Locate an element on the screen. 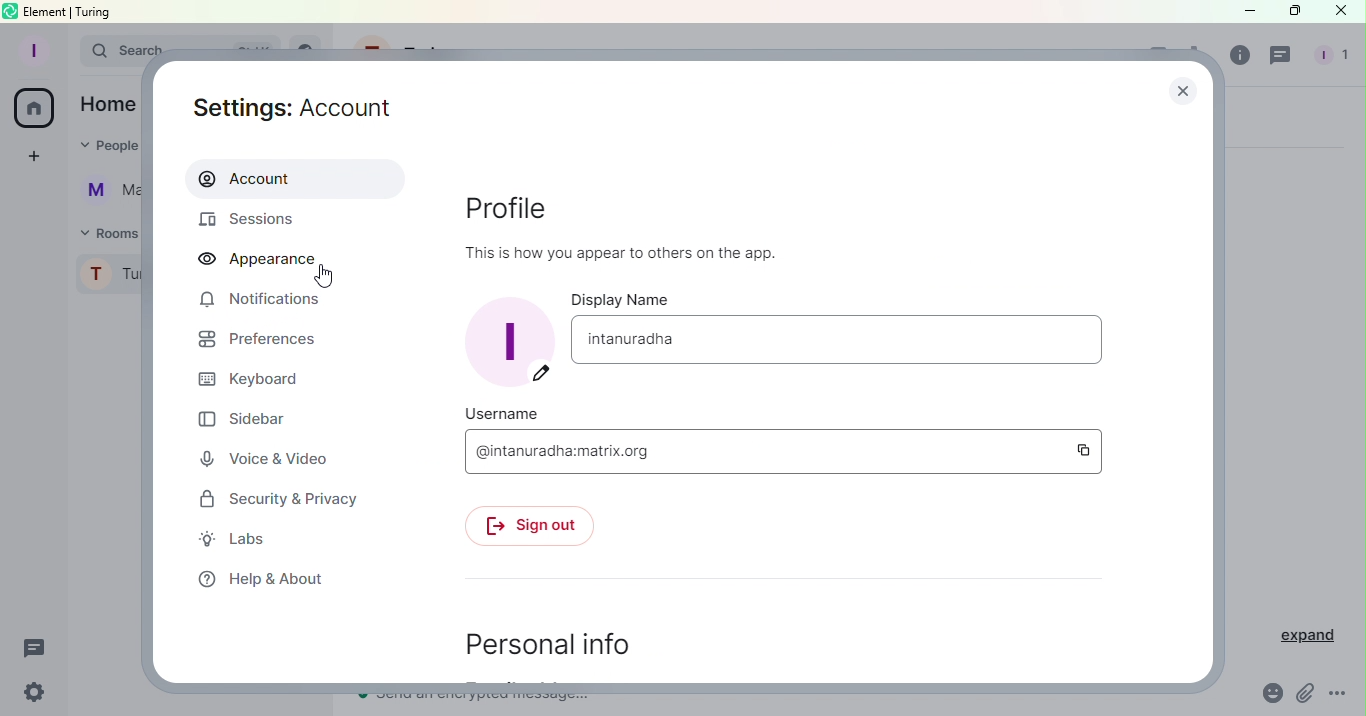 This screenshot has height=716, width=1366. Prefrences is located at coordinates (254, 340).